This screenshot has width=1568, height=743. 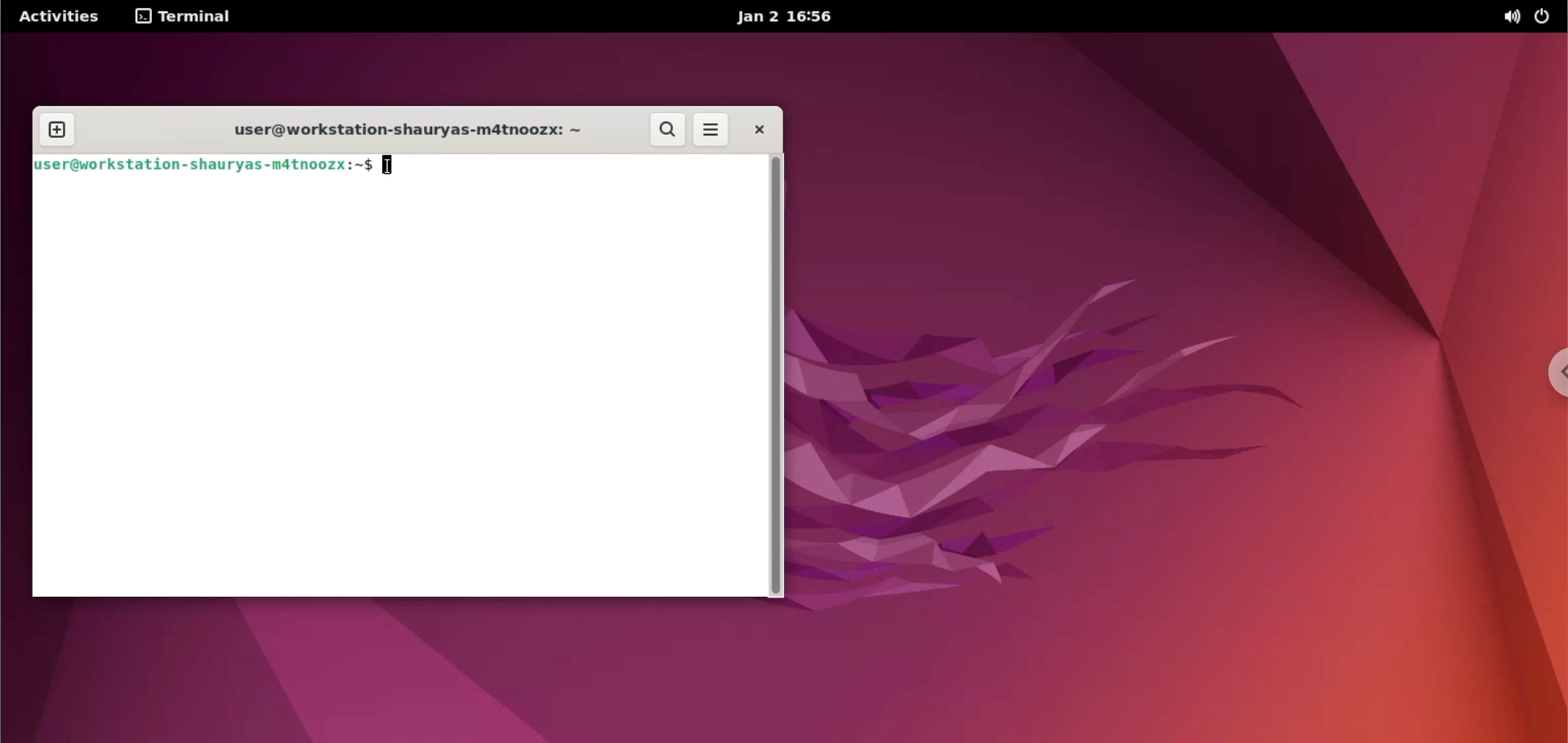 I want to click on close, so click(x=753, y=131).